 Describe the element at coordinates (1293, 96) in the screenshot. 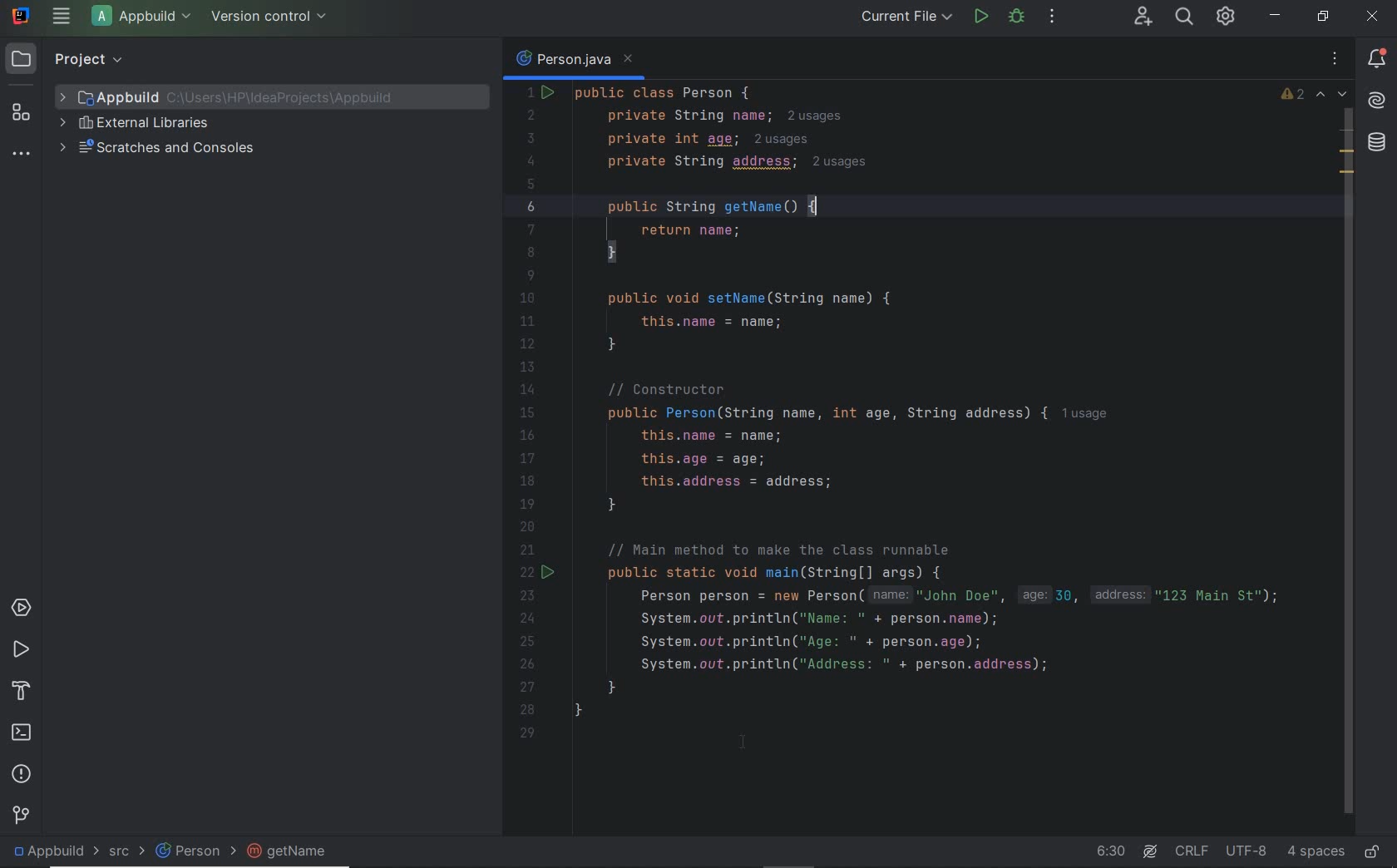

I see `warnings` at that location.